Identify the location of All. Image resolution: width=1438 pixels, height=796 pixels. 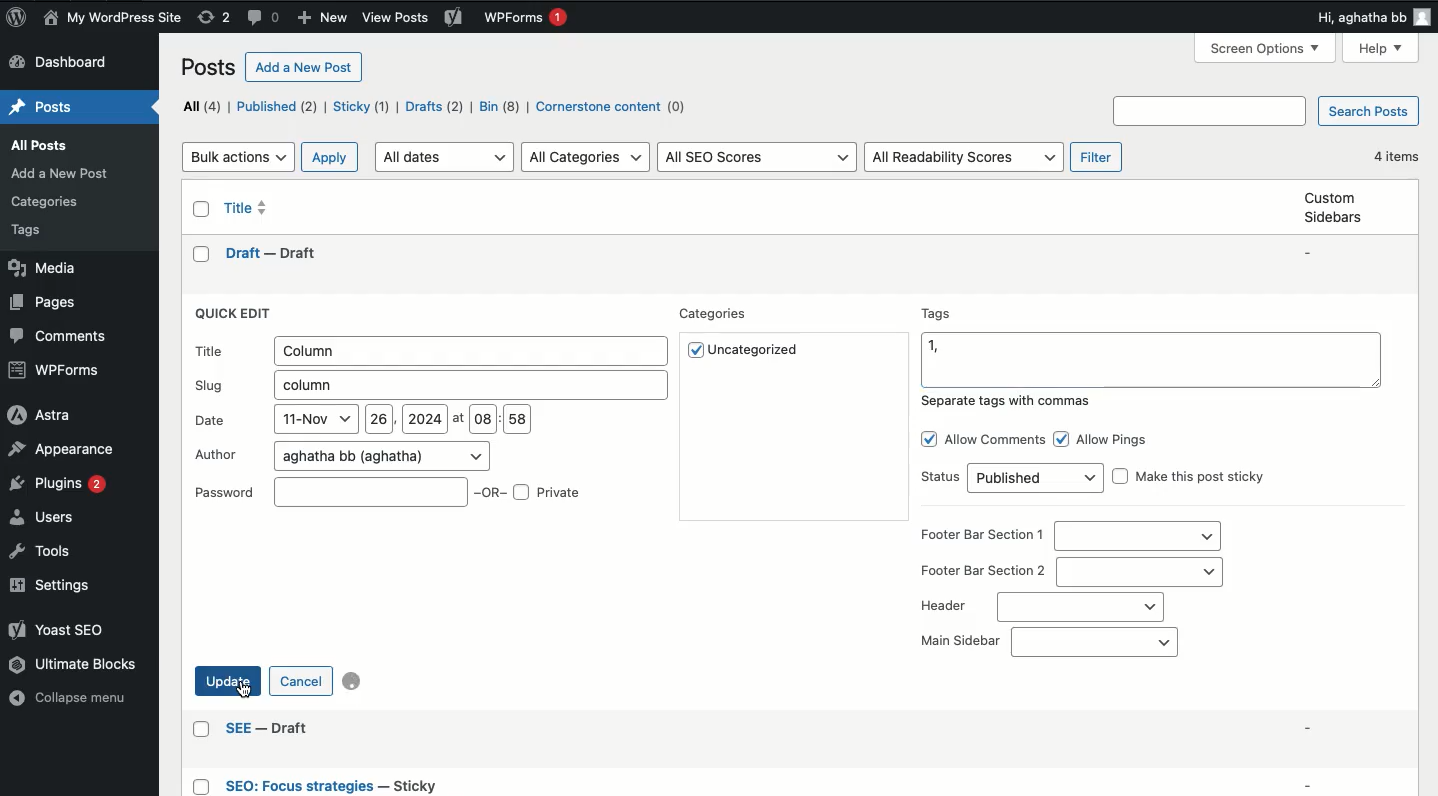
(200, 105).